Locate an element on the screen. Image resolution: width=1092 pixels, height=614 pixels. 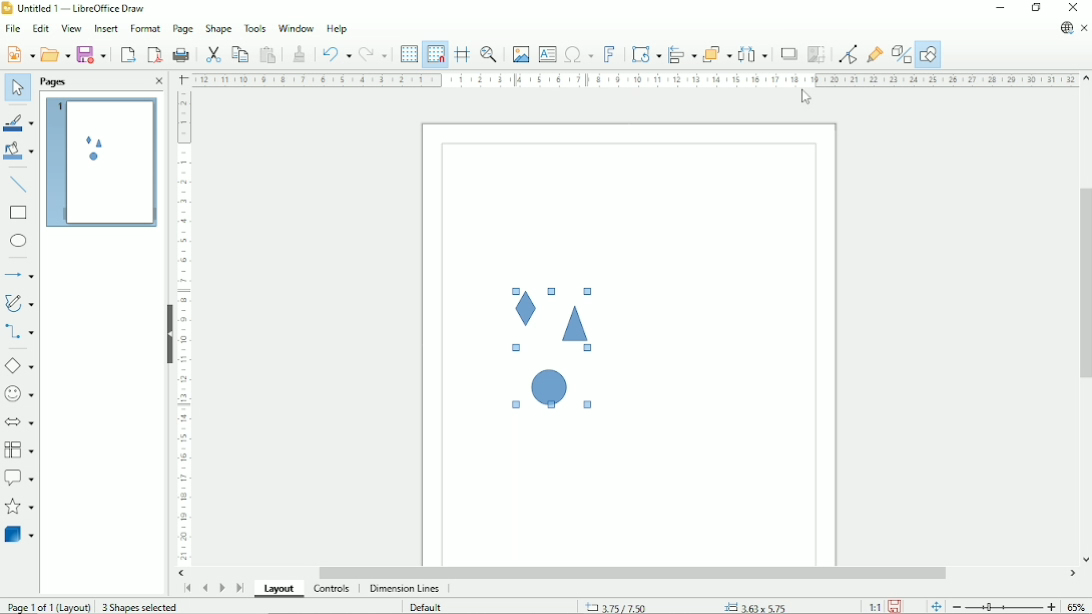
Crop image is located at coordinates (817, 55).